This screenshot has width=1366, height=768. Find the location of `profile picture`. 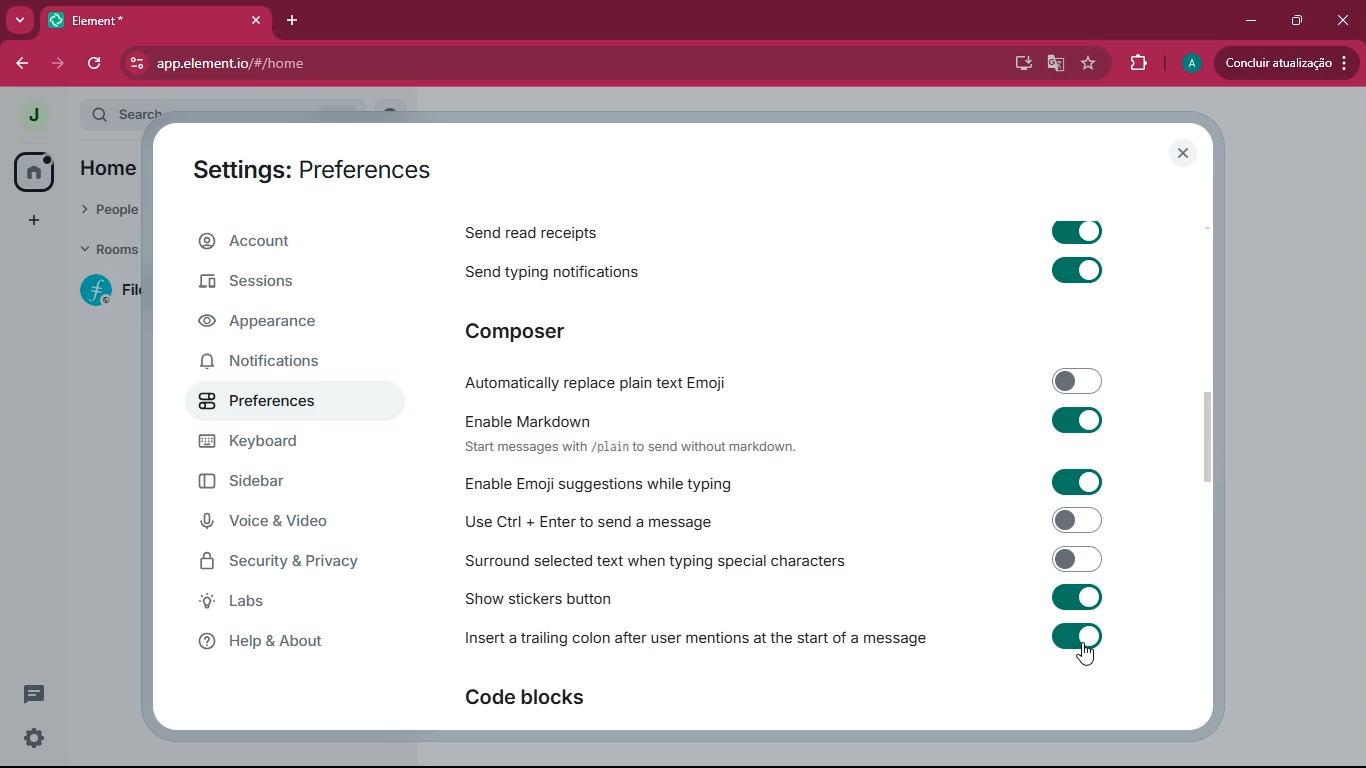

profile picture is located at coordinates (33, 116).